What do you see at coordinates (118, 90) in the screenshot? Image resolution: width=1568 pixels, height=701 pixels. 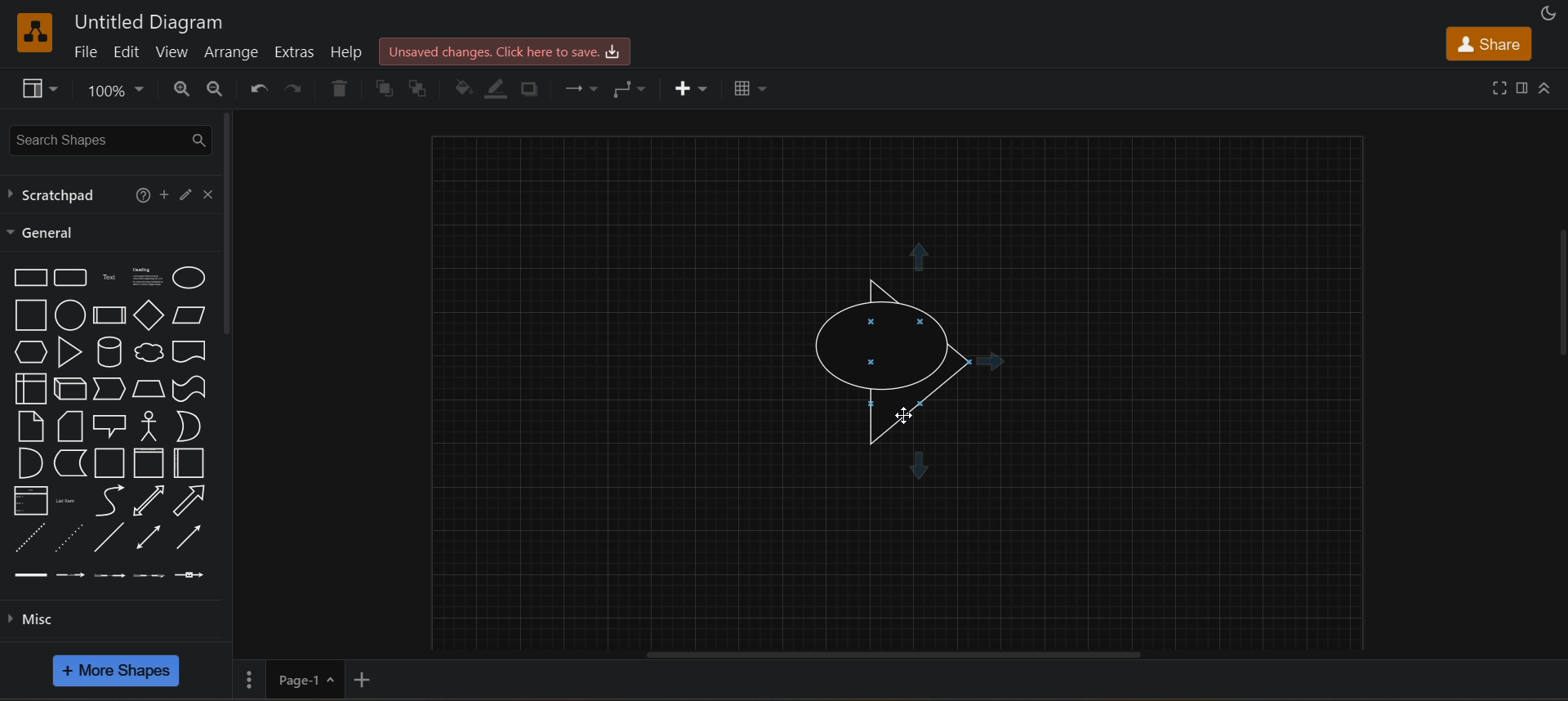 I see `zoom` at bounding box center [118, 90].